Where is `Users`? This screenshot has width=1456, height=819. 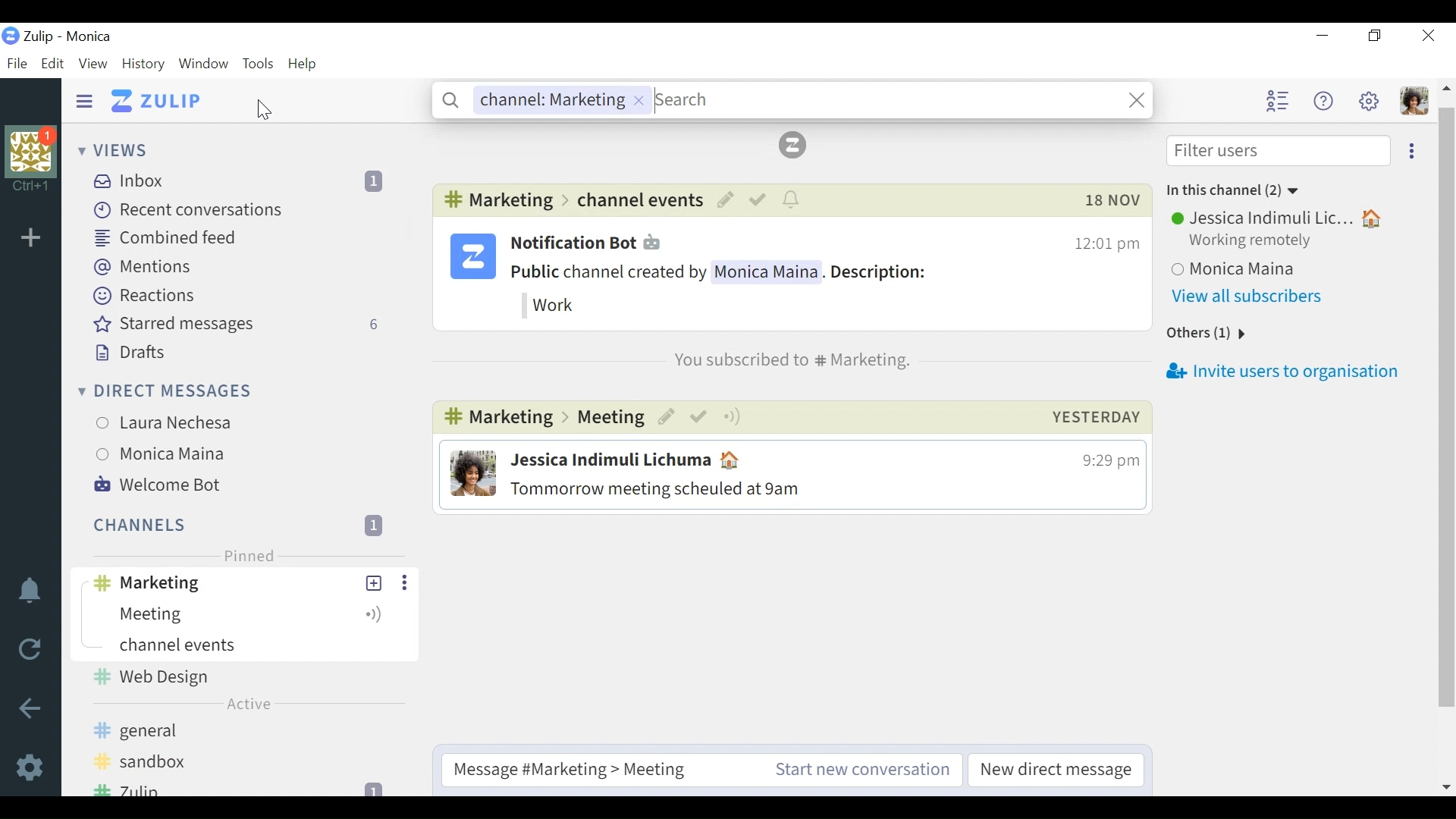
Users is located at coordinates (1279, 242).